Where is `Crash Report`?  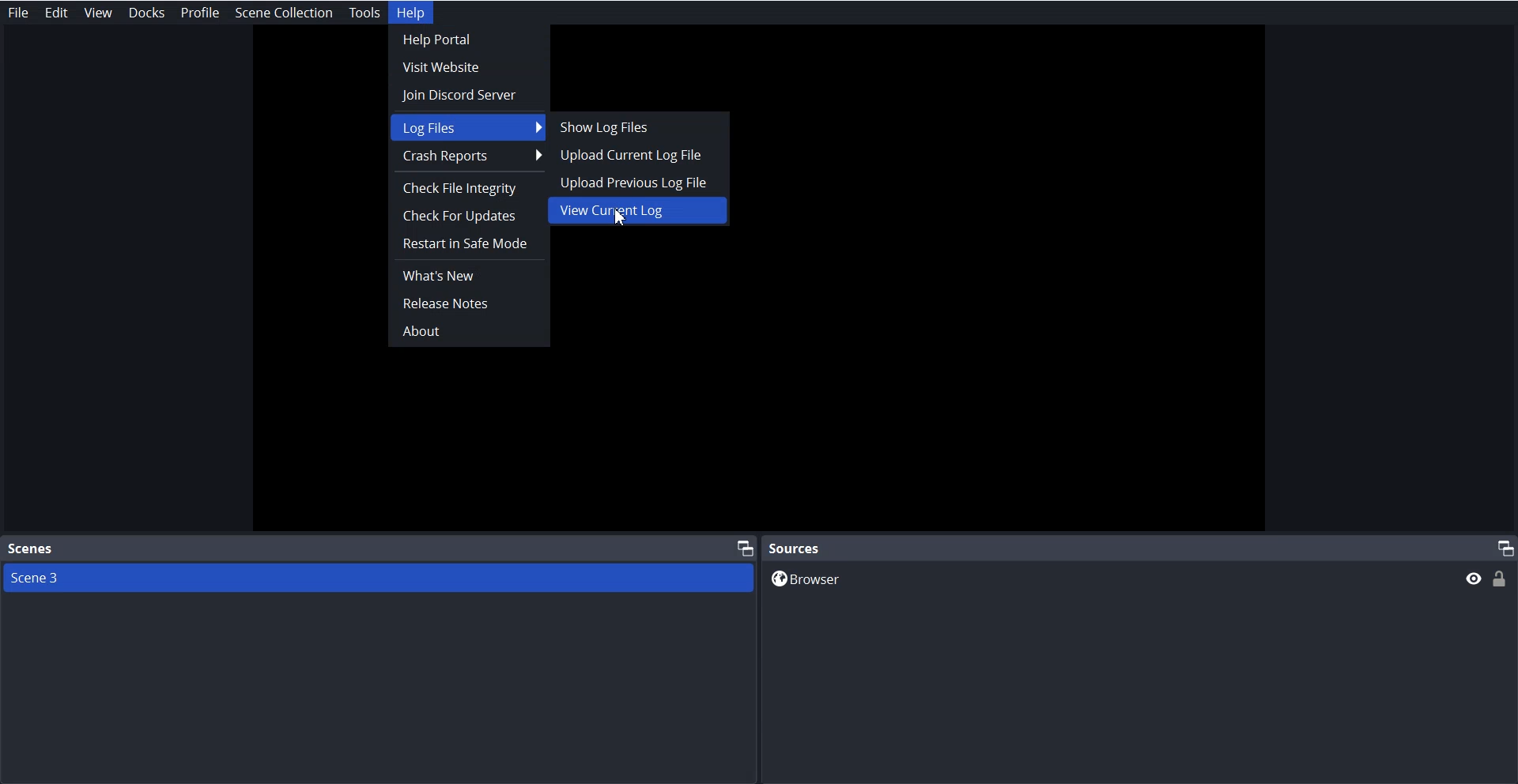
Crash Report is located at coordinates (469, 156).